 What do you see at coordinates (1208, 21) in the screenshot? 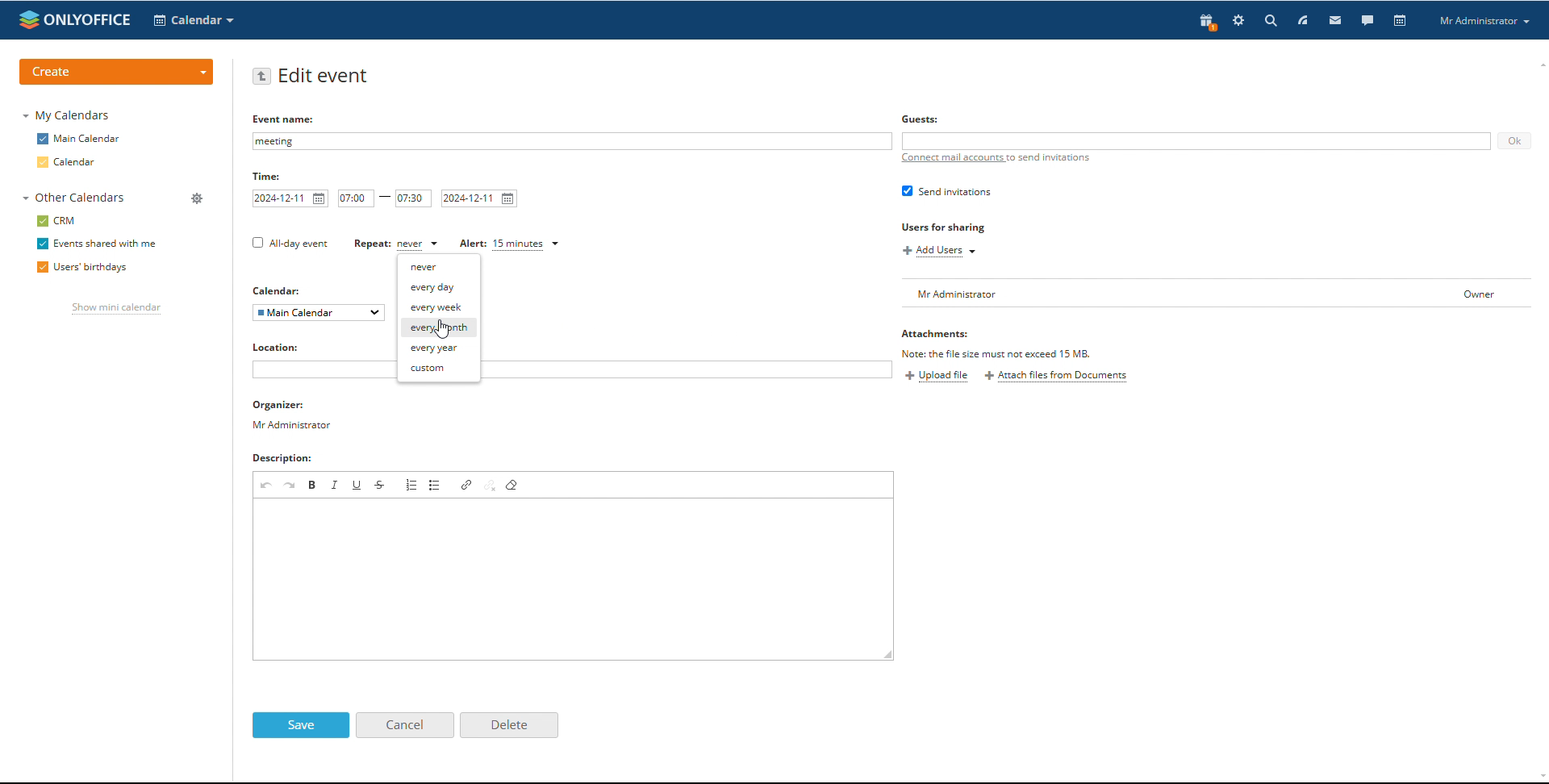
I see `present` at bounding box center [1208, 21].